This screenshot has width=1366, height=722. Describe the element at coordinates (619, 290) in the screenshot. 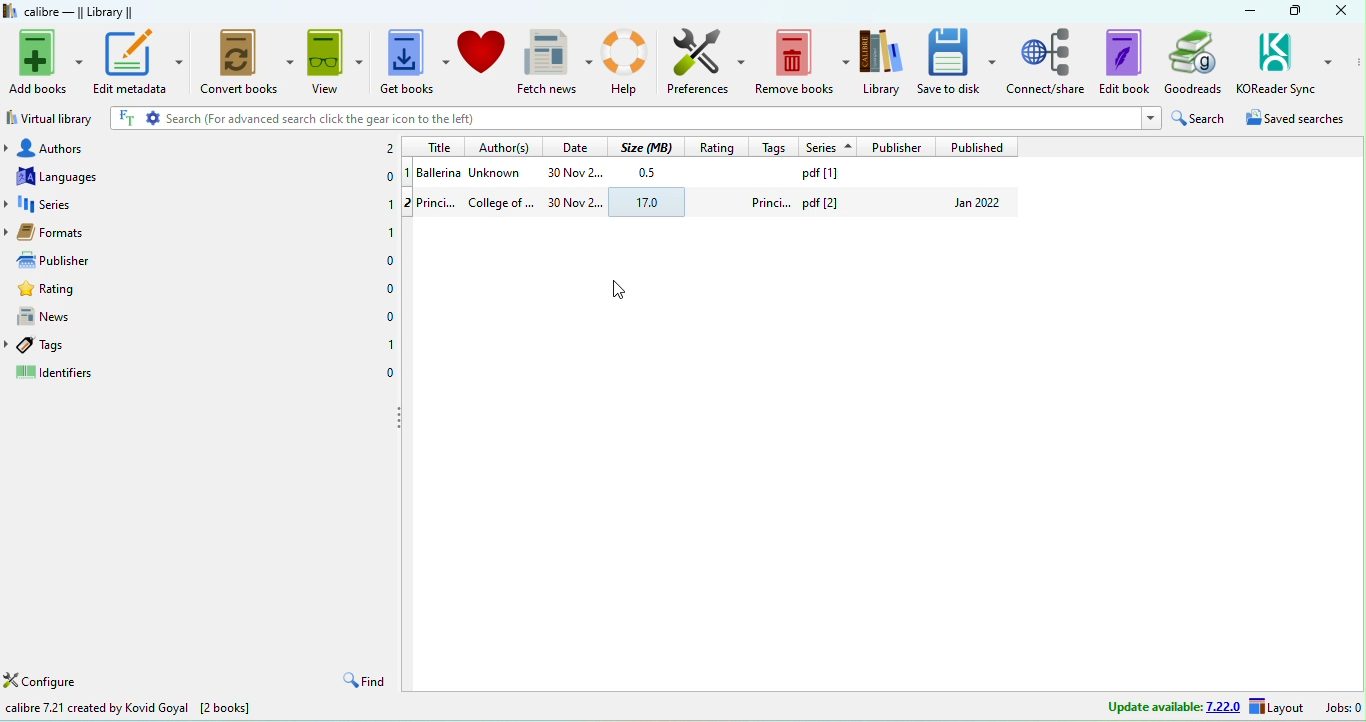

I see `cursor` at that location.